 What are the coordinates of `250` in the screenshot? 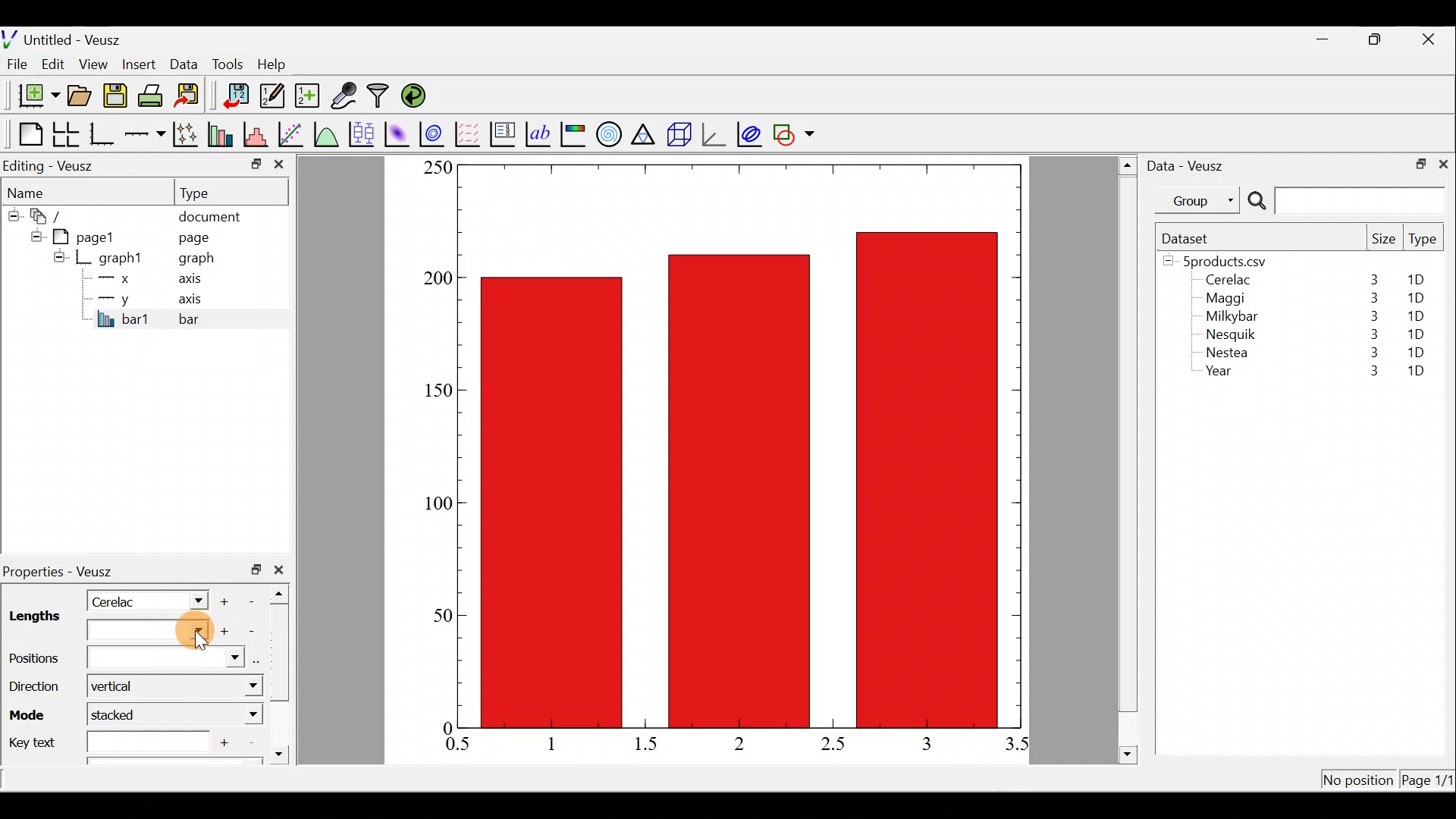 It's located at (437, 167).